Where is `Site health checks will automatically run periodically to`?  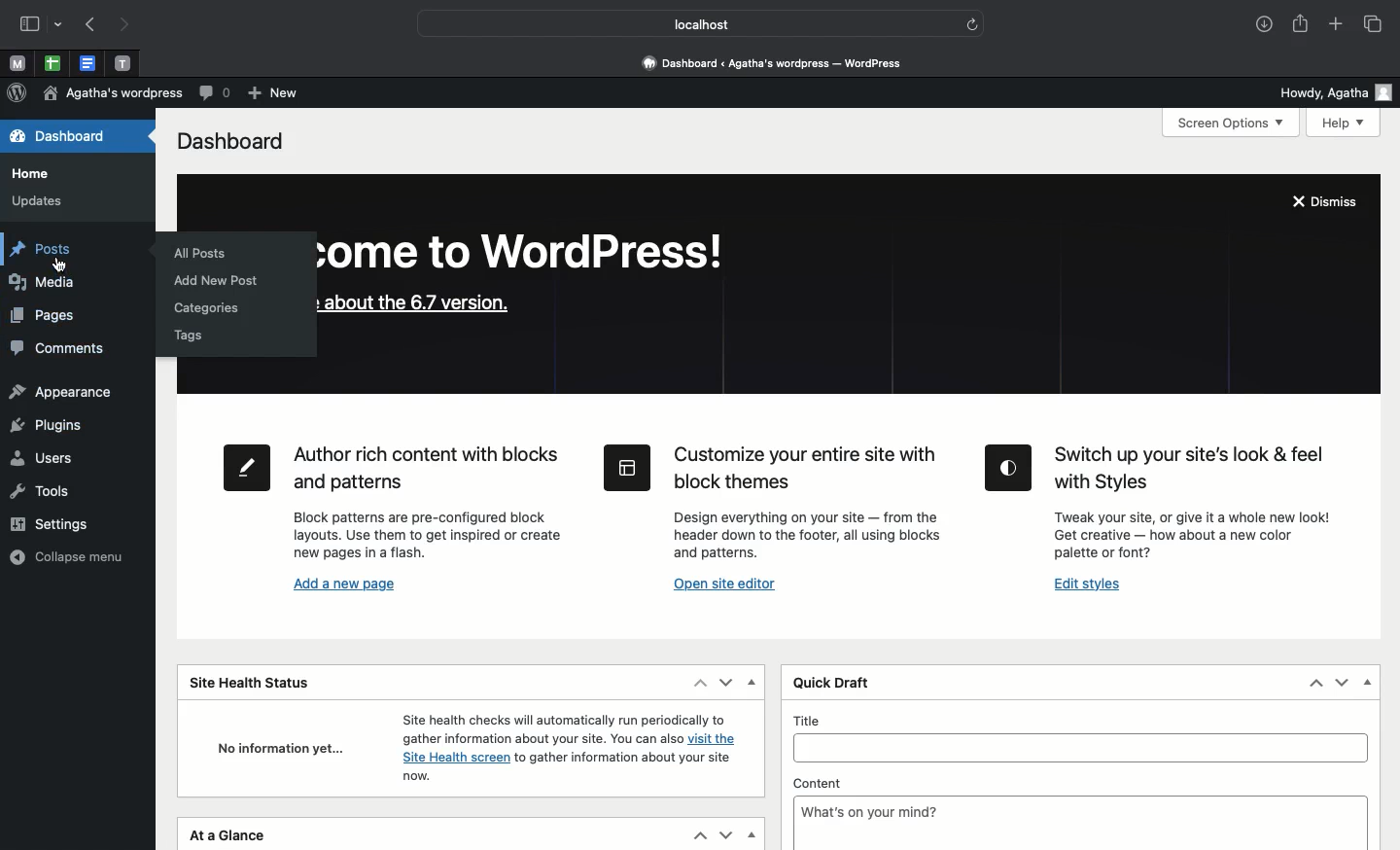 Site health checks will automatically run periodically to is located at coordinates (561, 719).